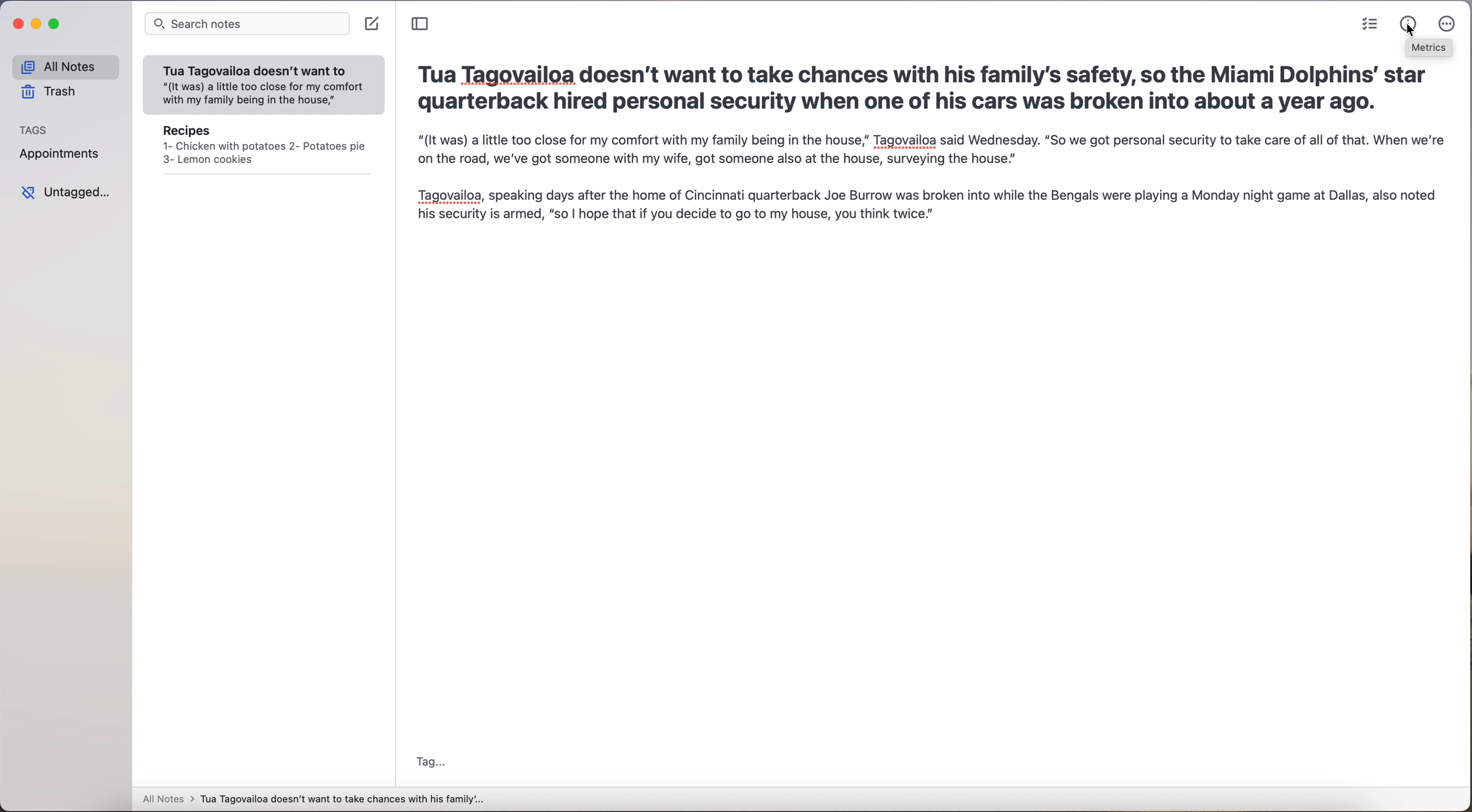  What do you see at coordinates (246, 26) in the screenshot?
I see `search bar` at bounding box center [246, 26].